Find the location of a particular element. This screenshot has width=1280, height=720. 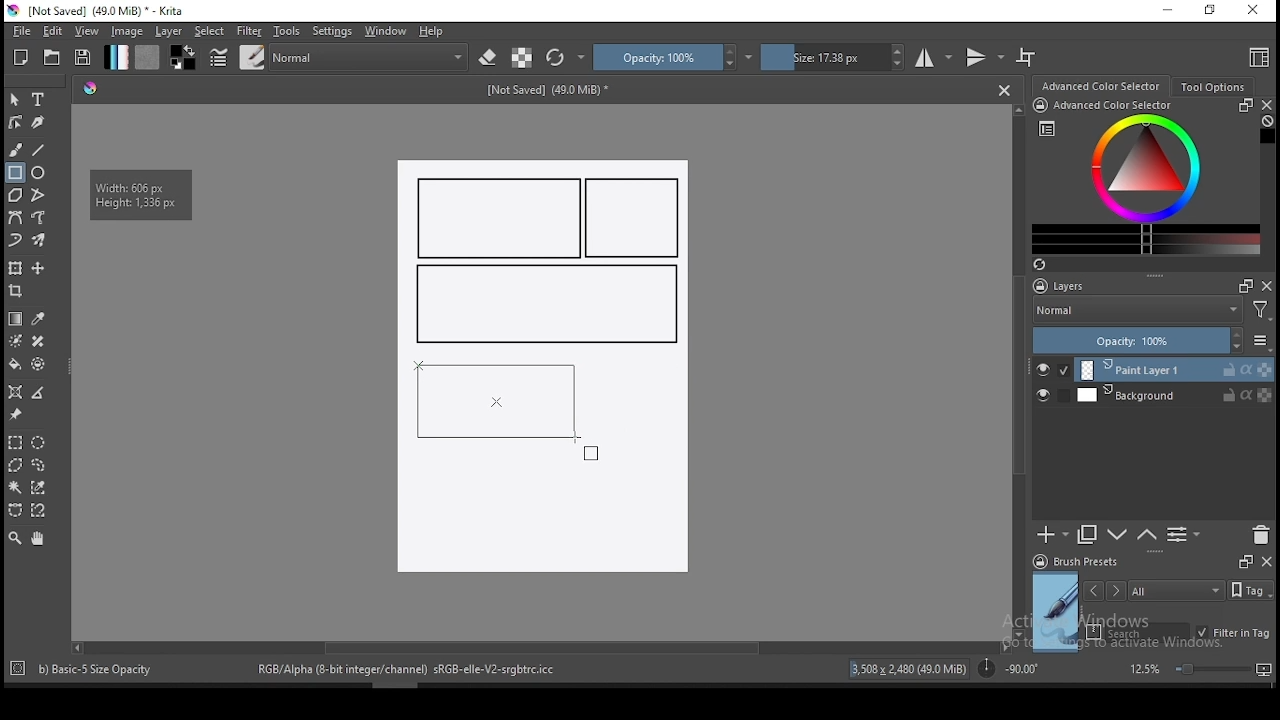

Image is located at coordinates (541, 515).